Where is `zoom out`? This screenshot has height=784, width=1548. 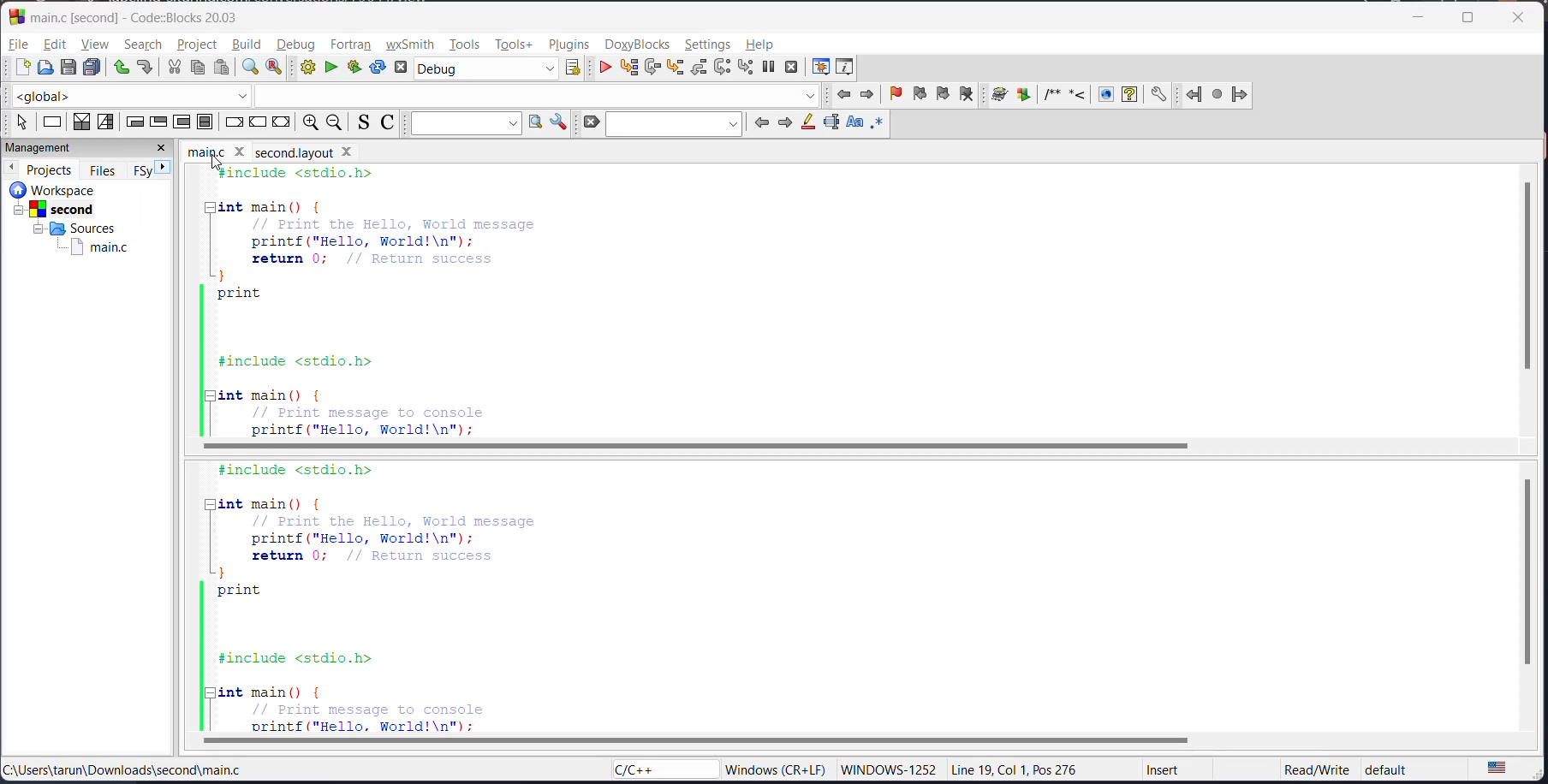 zoom out is located at coordinates (334, 122).